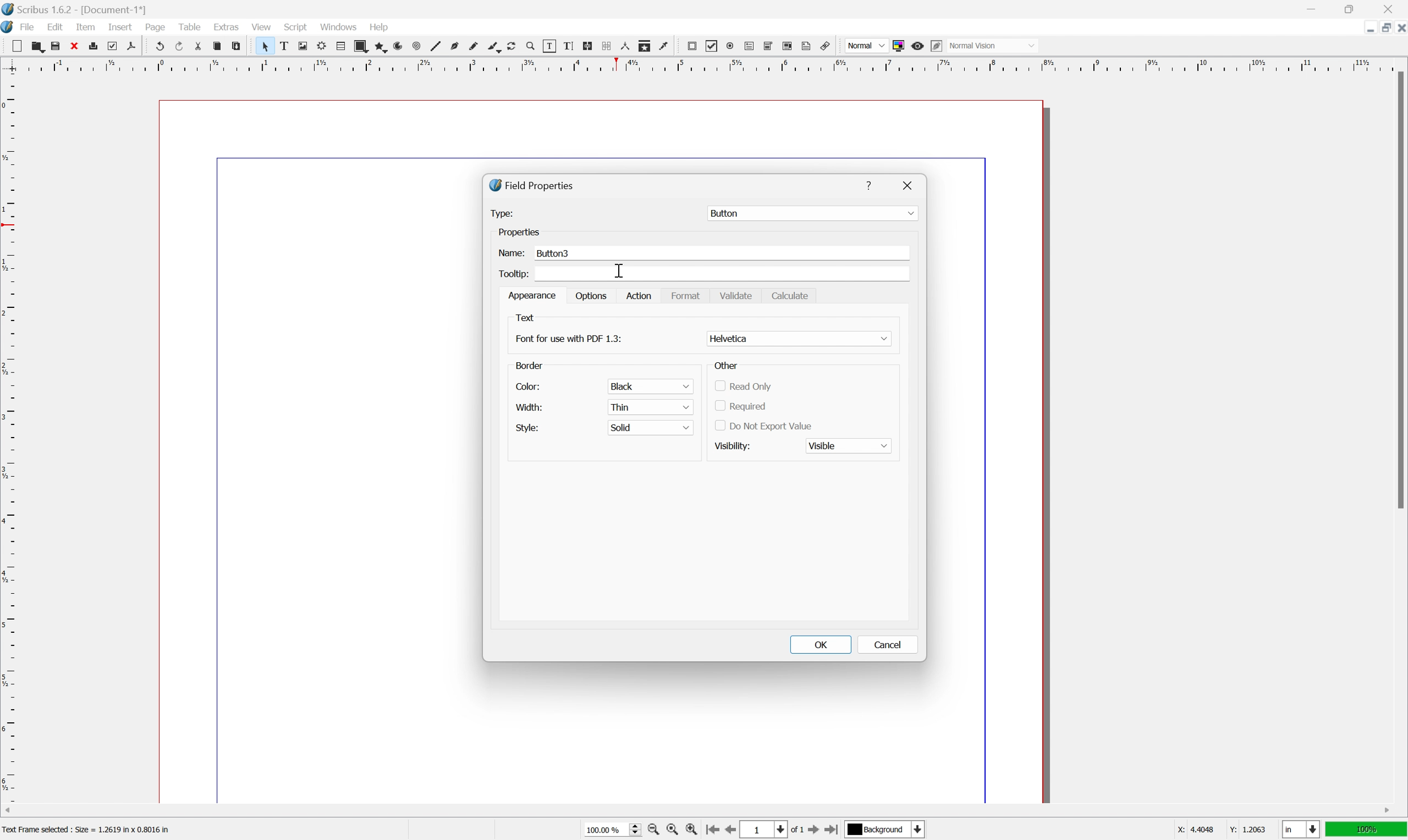  What do you see at coordinates (132, 46) in the screenshot?
I see `save as pdf` at bounding box center [132, 46].